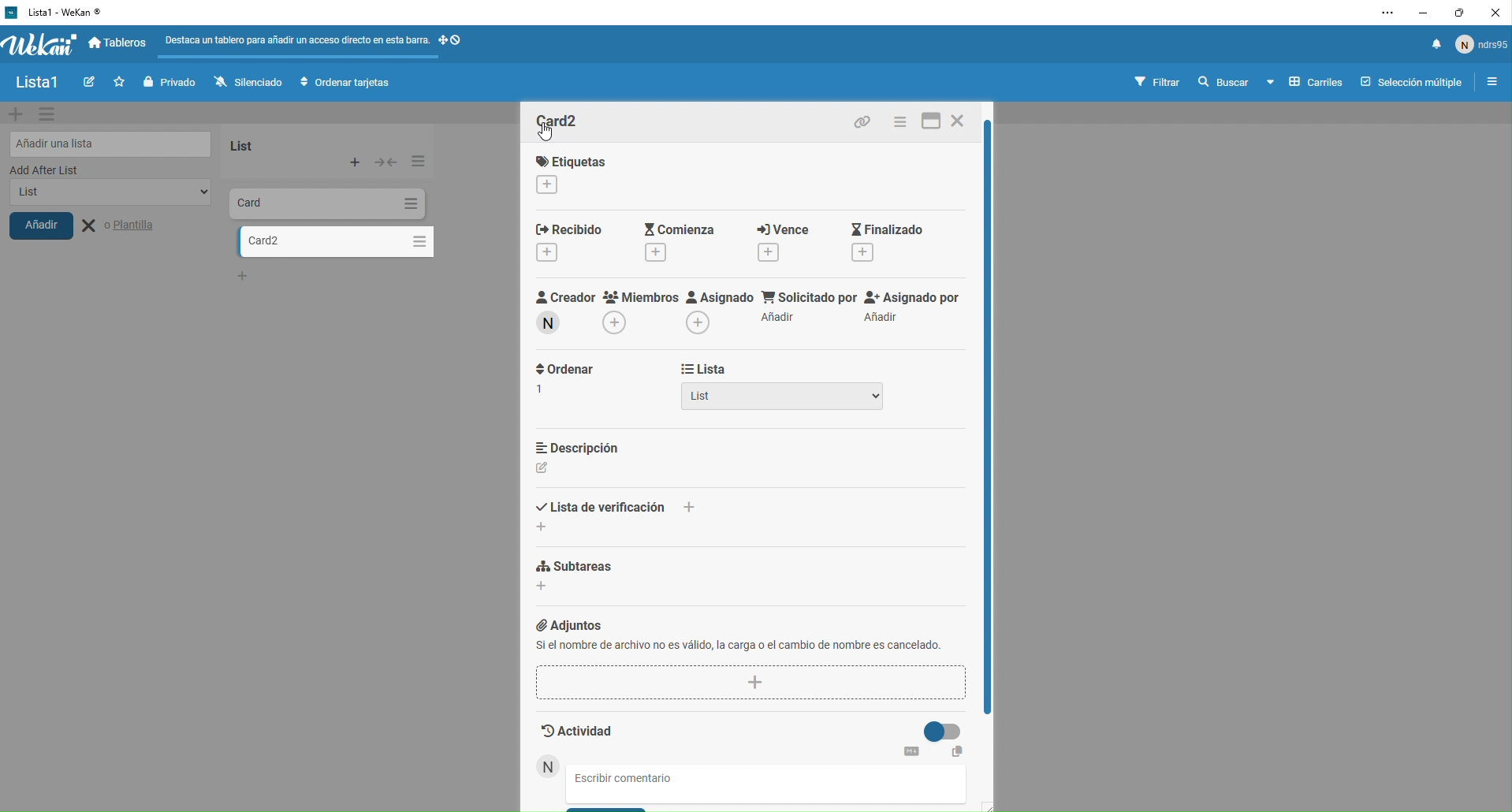  I want to click on carriles, so click(1305, 83).